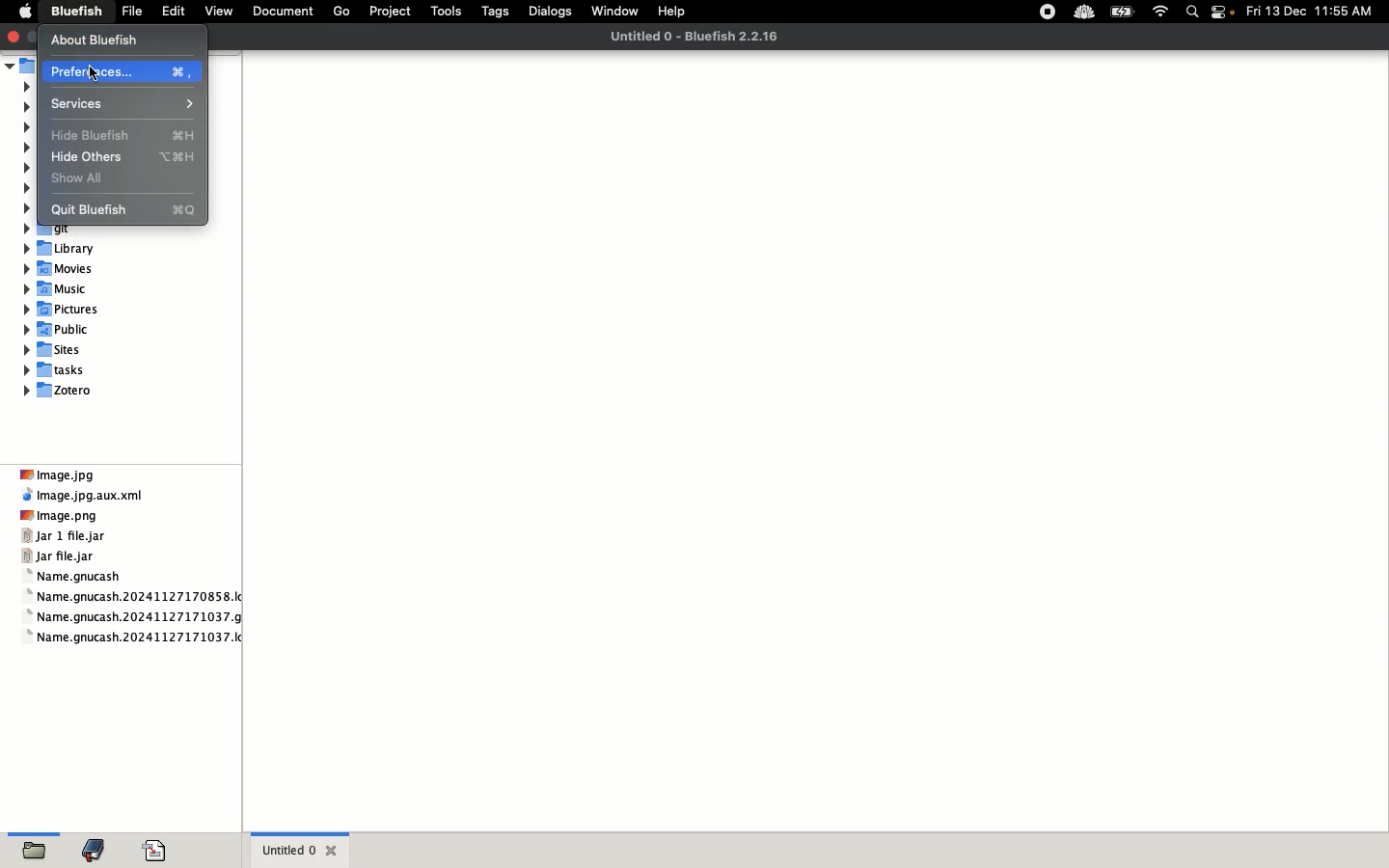 The image size is (1389, 868). I want to click on minimize, so click(33, 33).